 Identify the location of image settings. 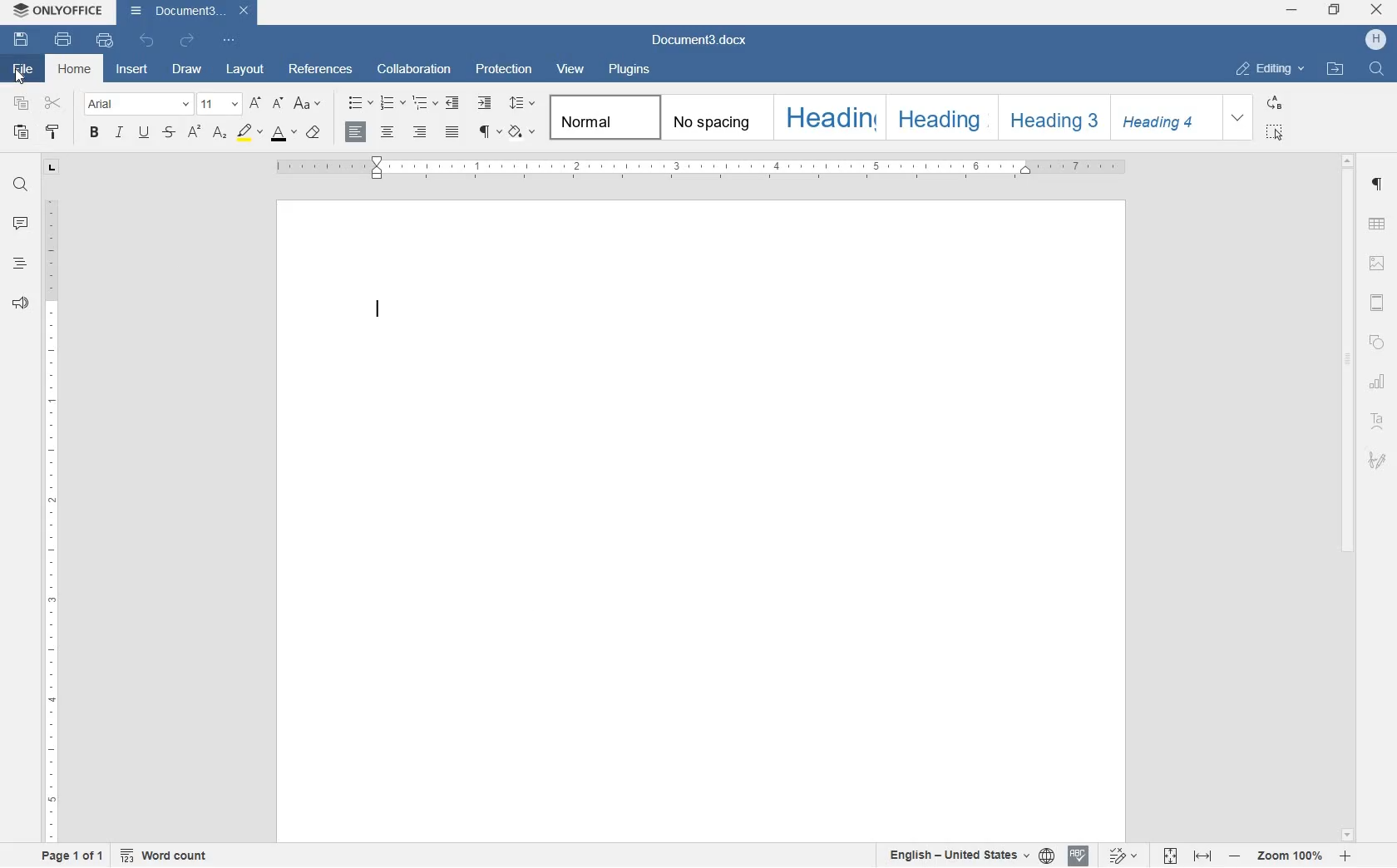
(1377, 264).